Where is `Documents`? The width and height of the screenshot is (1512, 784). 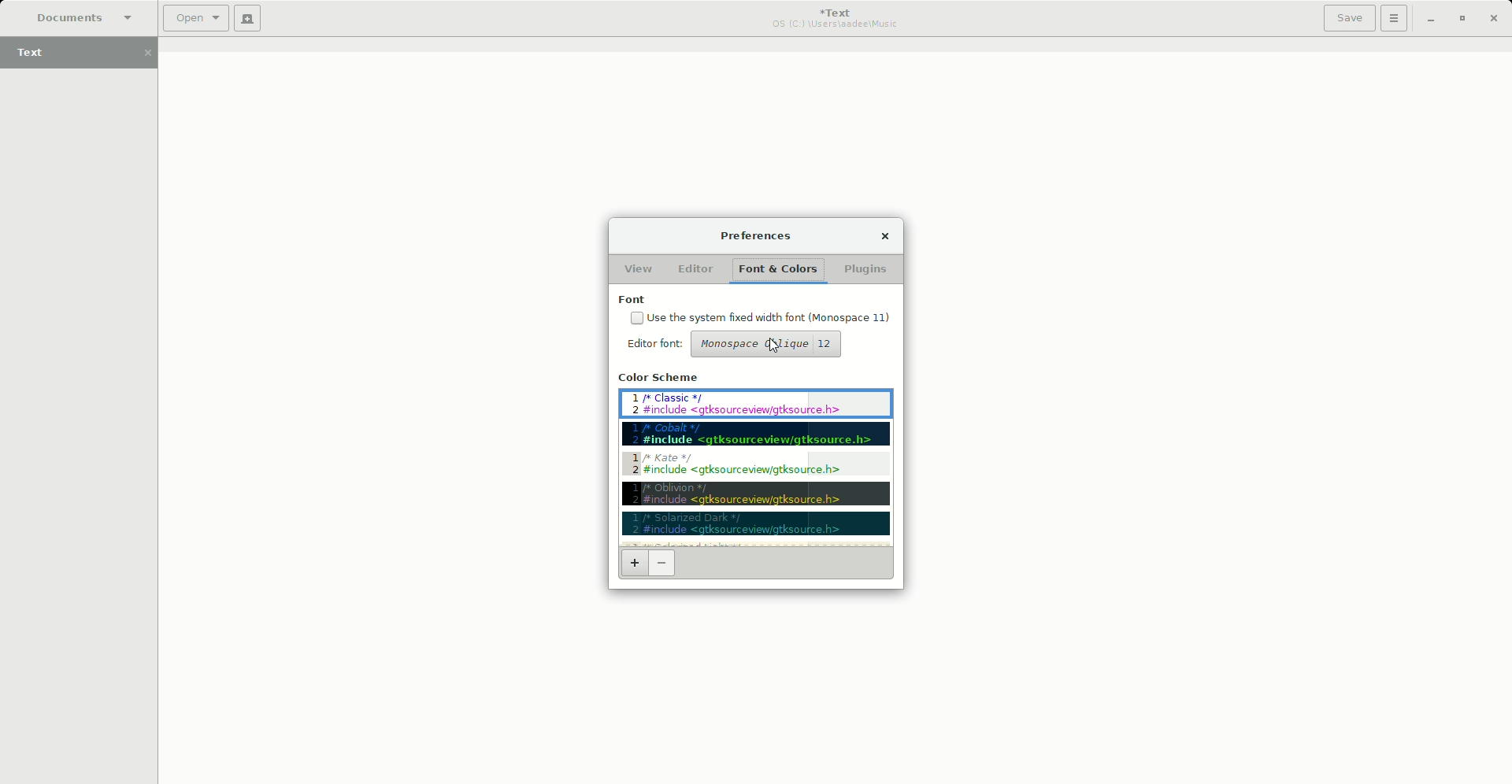
Documents is located at coordinates (77, 17).